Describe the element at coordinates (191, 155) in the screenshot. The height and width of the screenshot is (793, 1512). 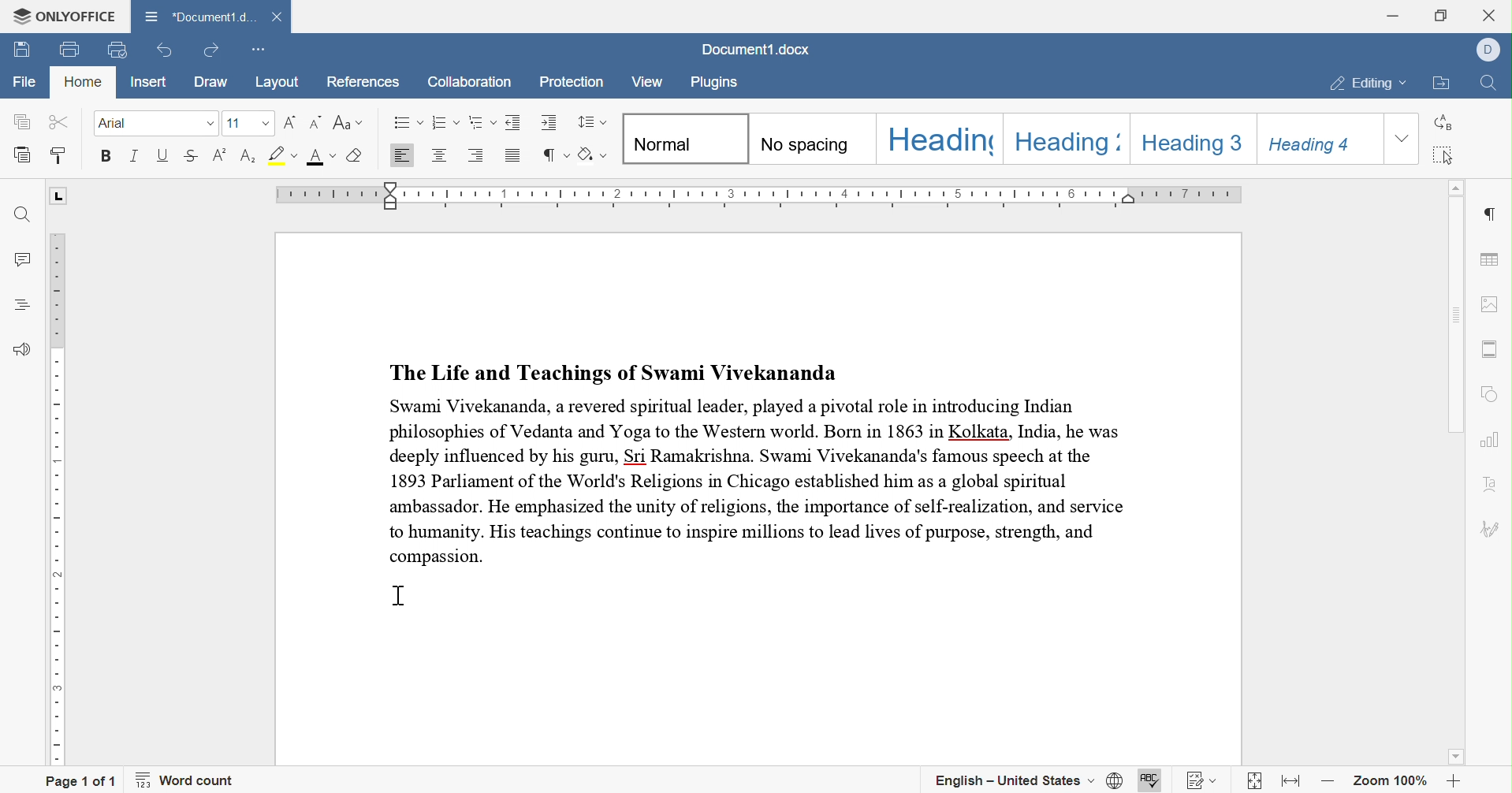
I see `strikethrough` at that location.